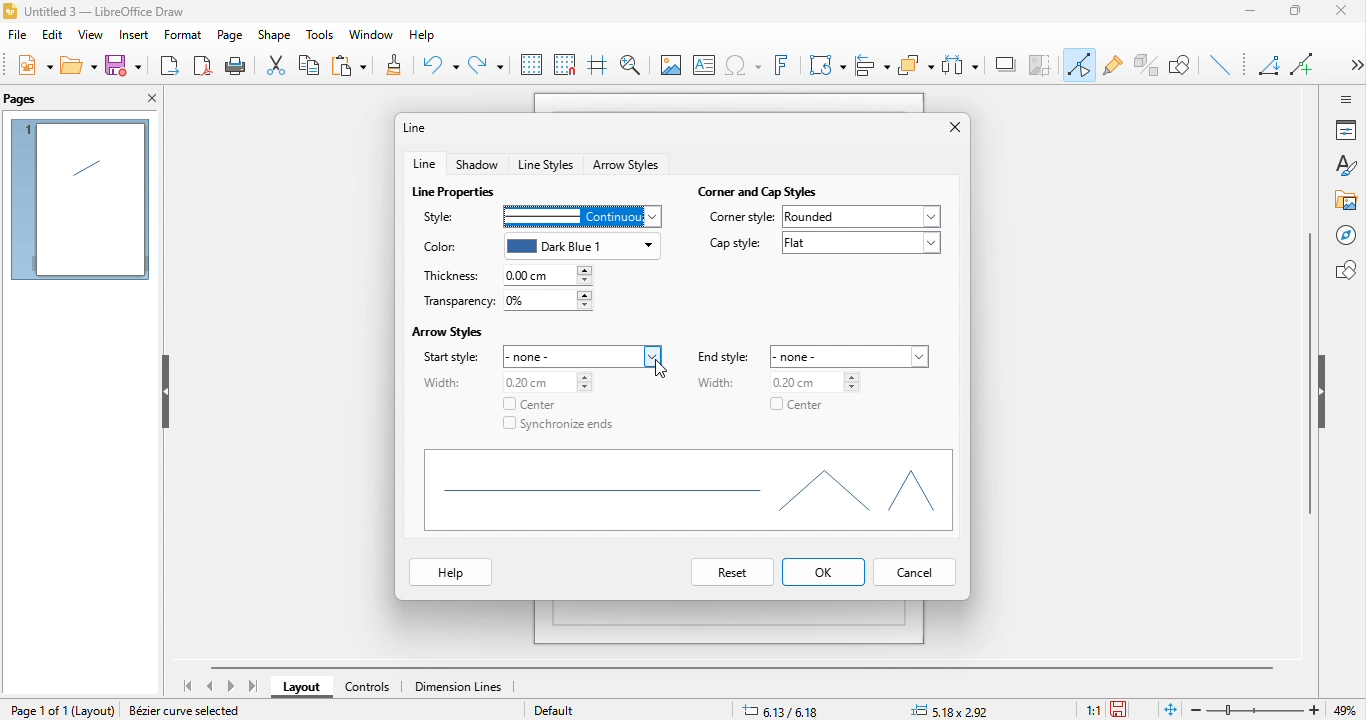 The width and height of the screenshot is (1366, 720). I want to click on cursor movement, so click(663, 373).